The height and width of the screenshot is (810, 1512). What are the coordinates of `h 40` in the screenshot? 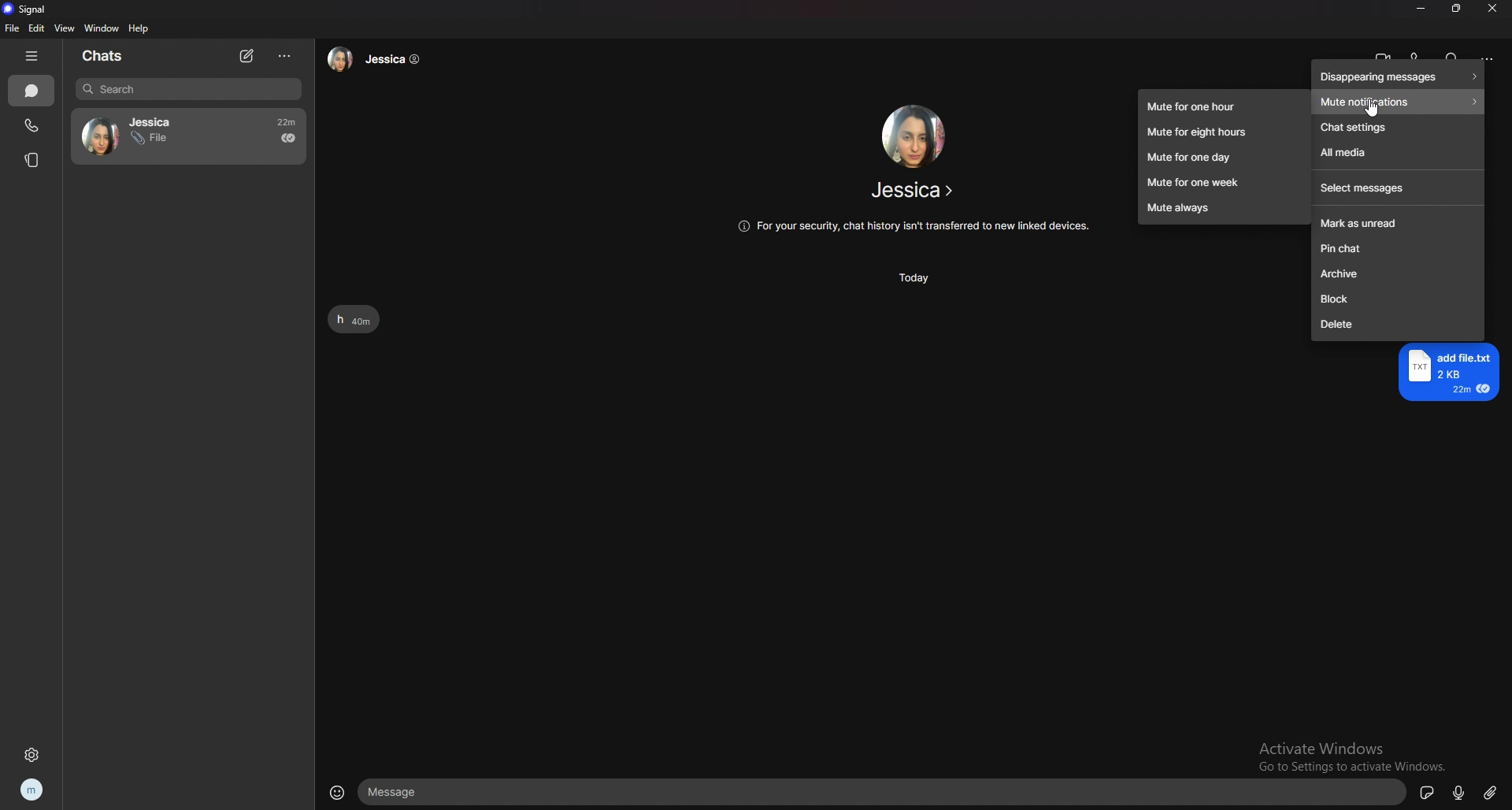 It's located at (360, 318).